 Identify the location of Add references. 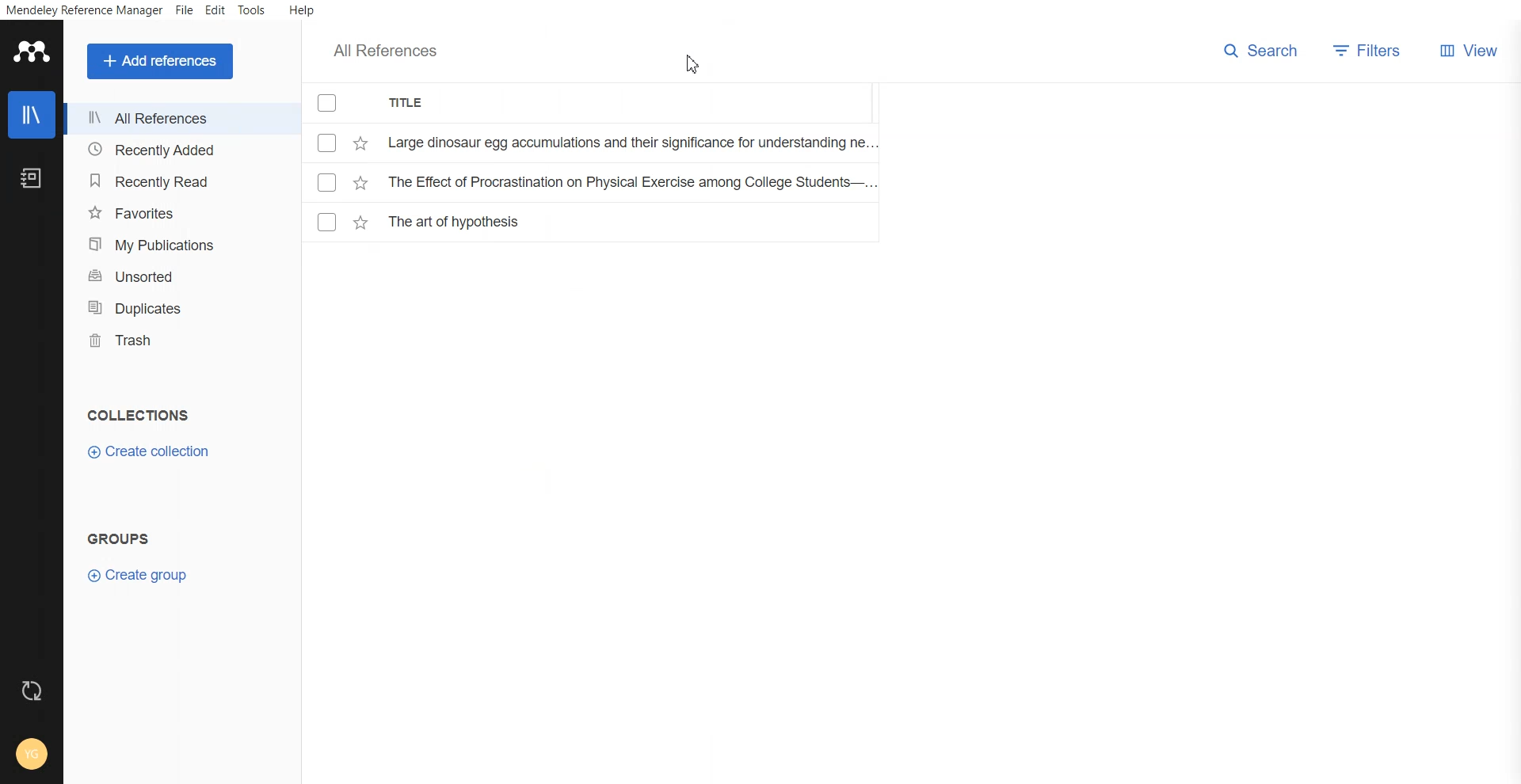
(161, 61).